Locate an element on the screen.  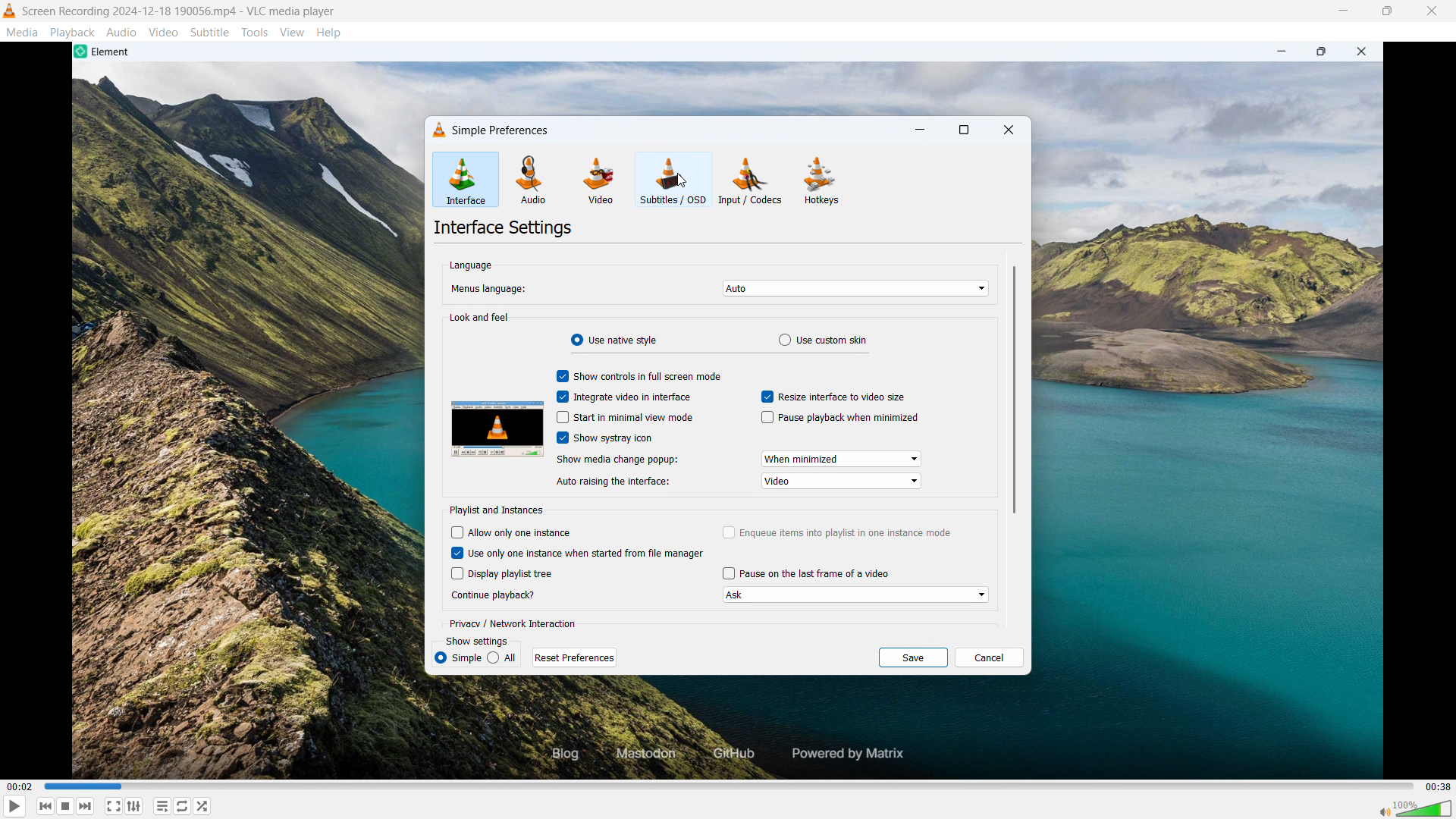
use only one instance when started from file manager is located at coordinates (579, 553).